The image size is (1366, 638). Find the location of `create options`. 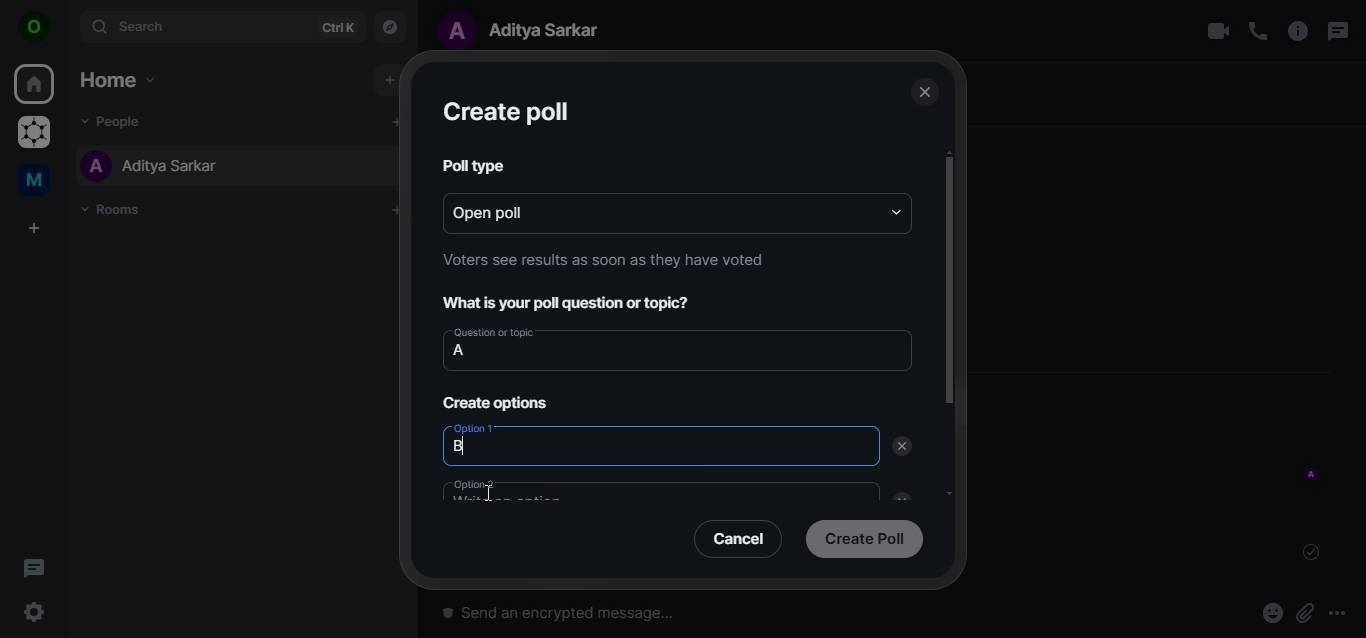

create options is located at coordinates (498, 403).